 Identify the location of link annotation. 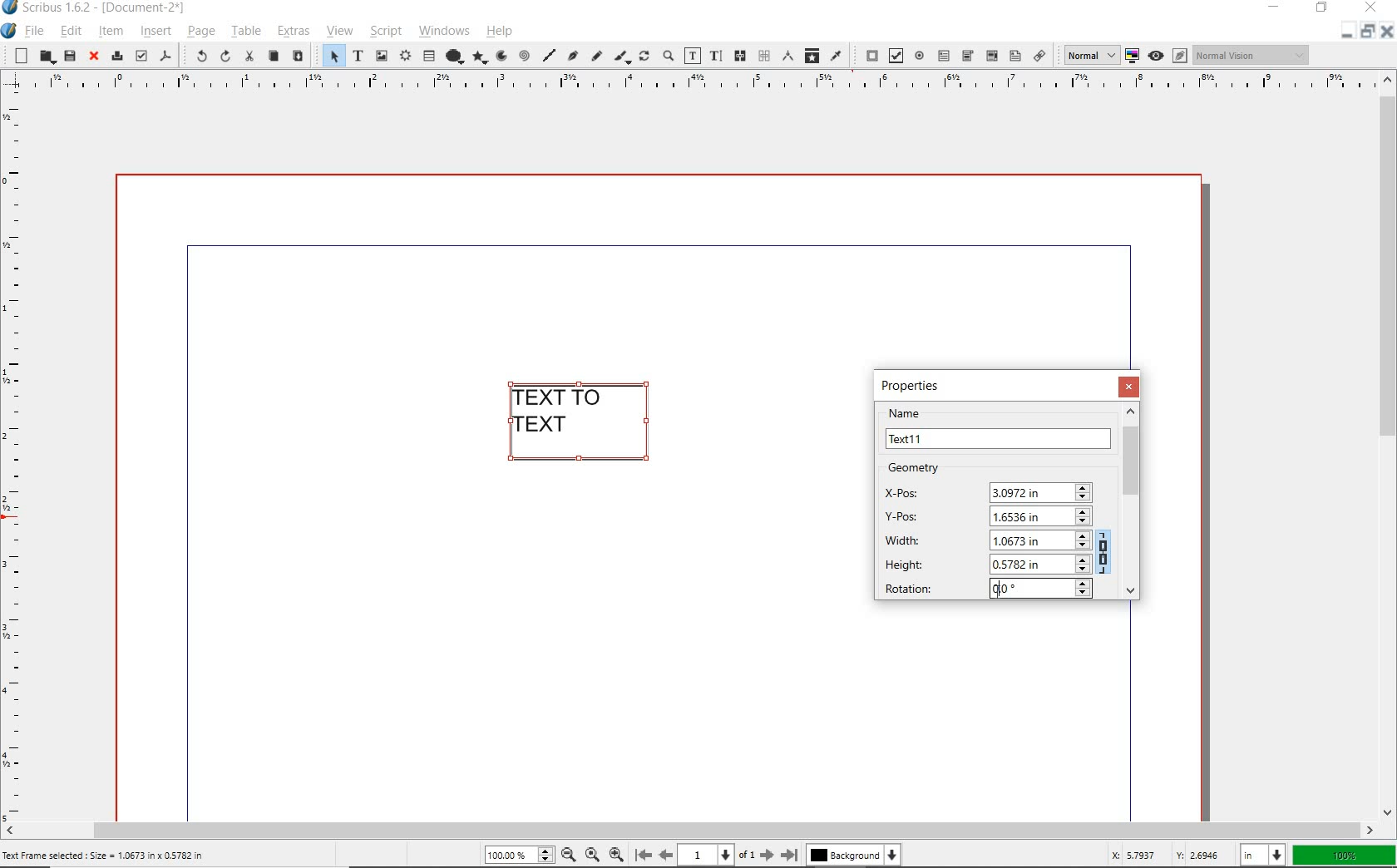
(1038, 55).